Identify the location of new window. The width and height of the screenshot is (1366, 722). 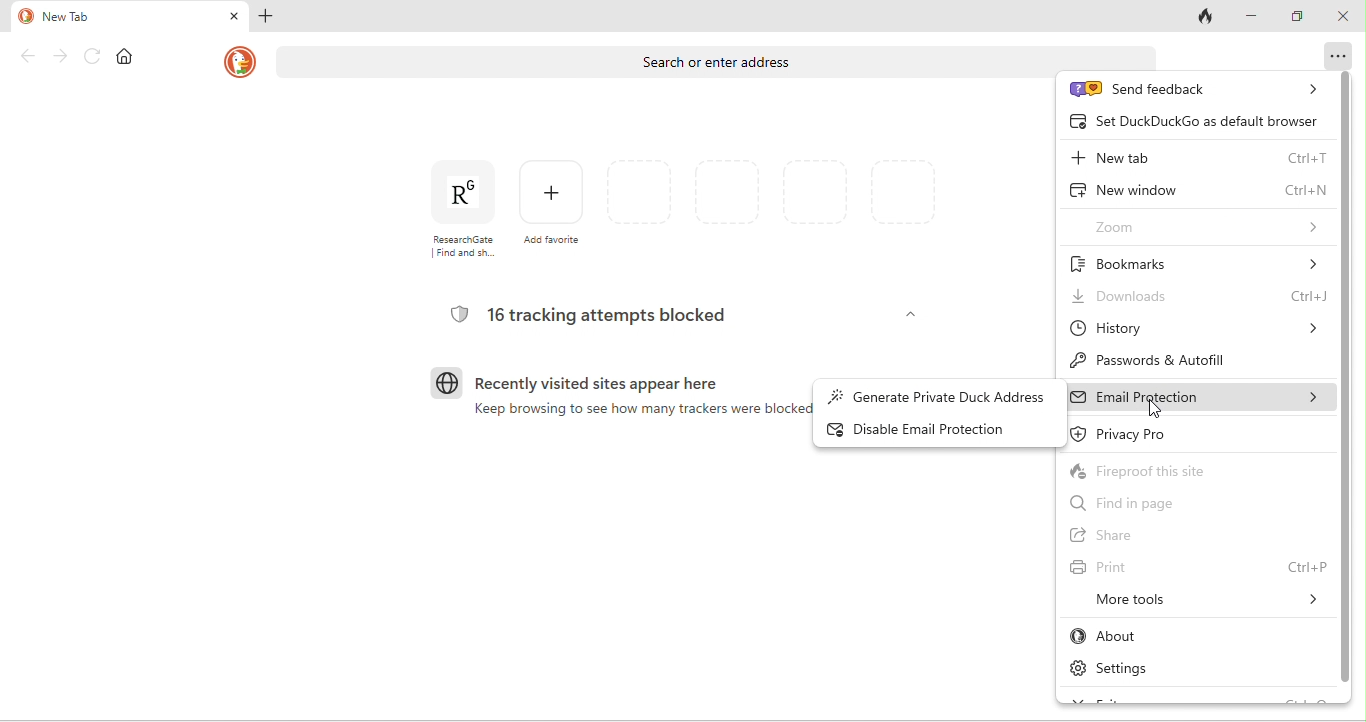
(1200, 189).